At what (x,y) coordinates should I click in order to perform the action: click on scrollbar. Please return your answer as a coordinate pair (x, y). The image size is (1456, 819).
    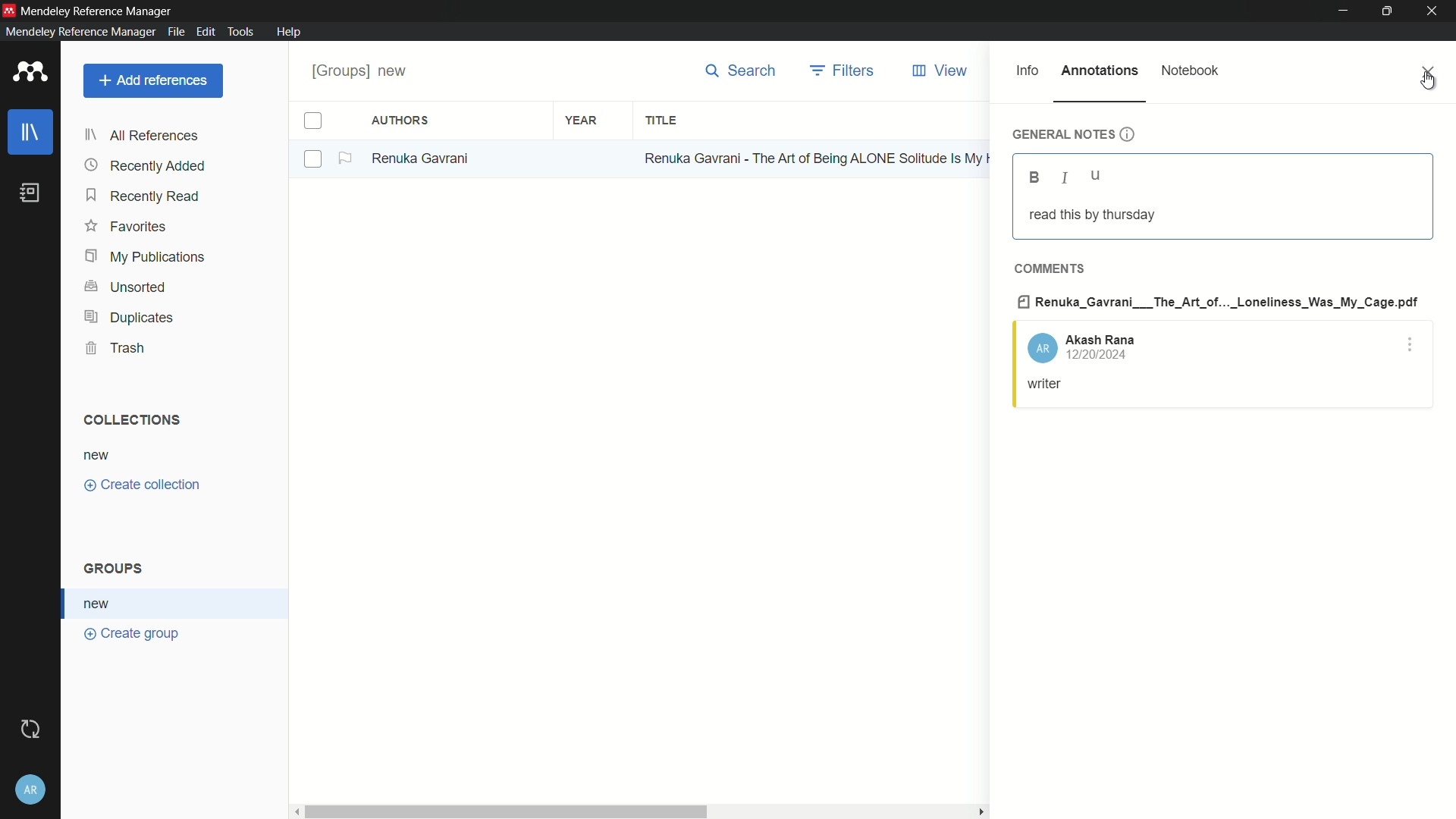
    Looking at the image, I should click on (504, 810).